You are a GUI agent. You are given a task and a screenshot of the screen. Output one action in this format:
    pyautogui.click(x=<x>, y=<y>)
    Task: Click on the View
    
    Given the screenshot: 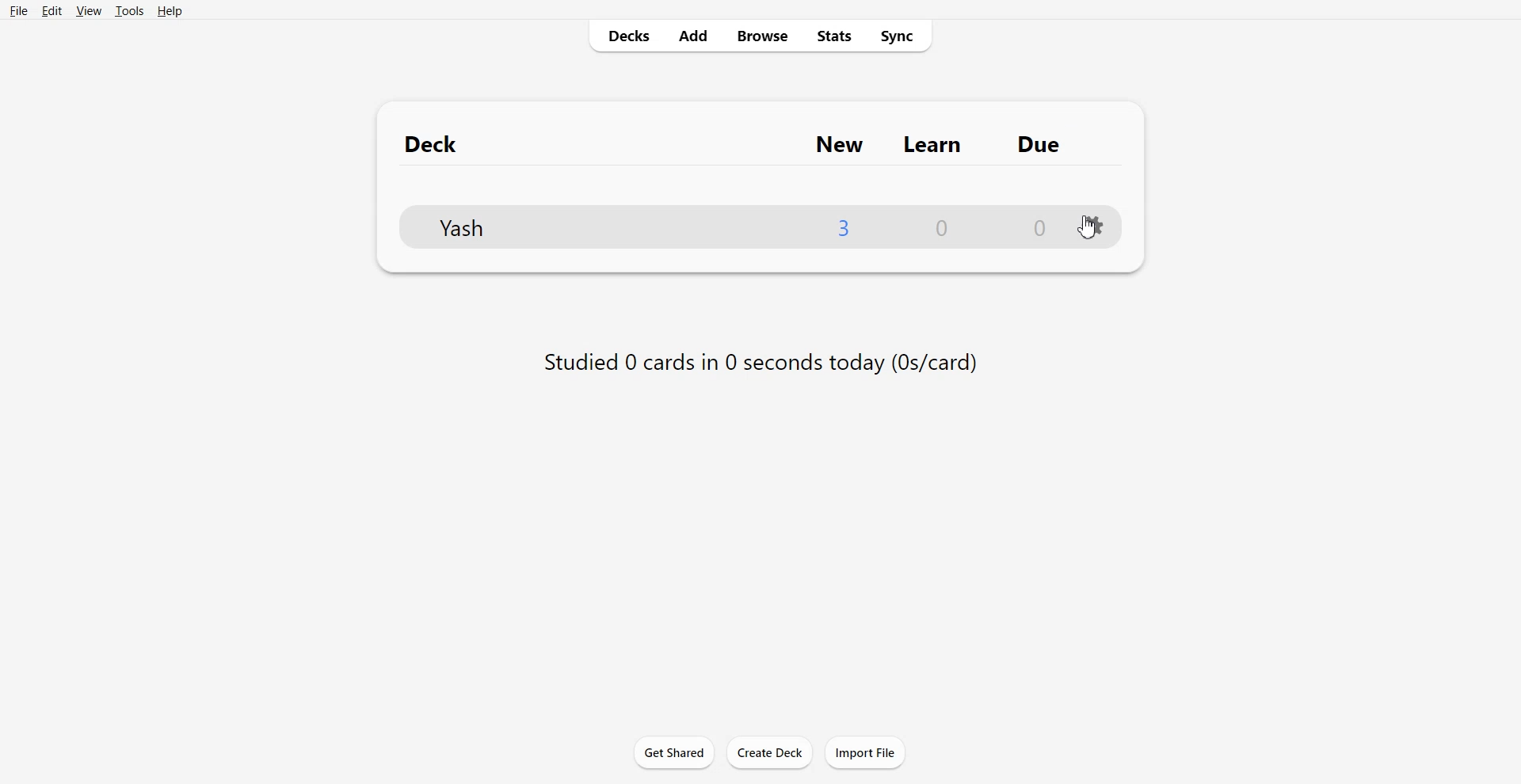 What is the action you would take?
    pyautogui.click(x=88, y=11)
    